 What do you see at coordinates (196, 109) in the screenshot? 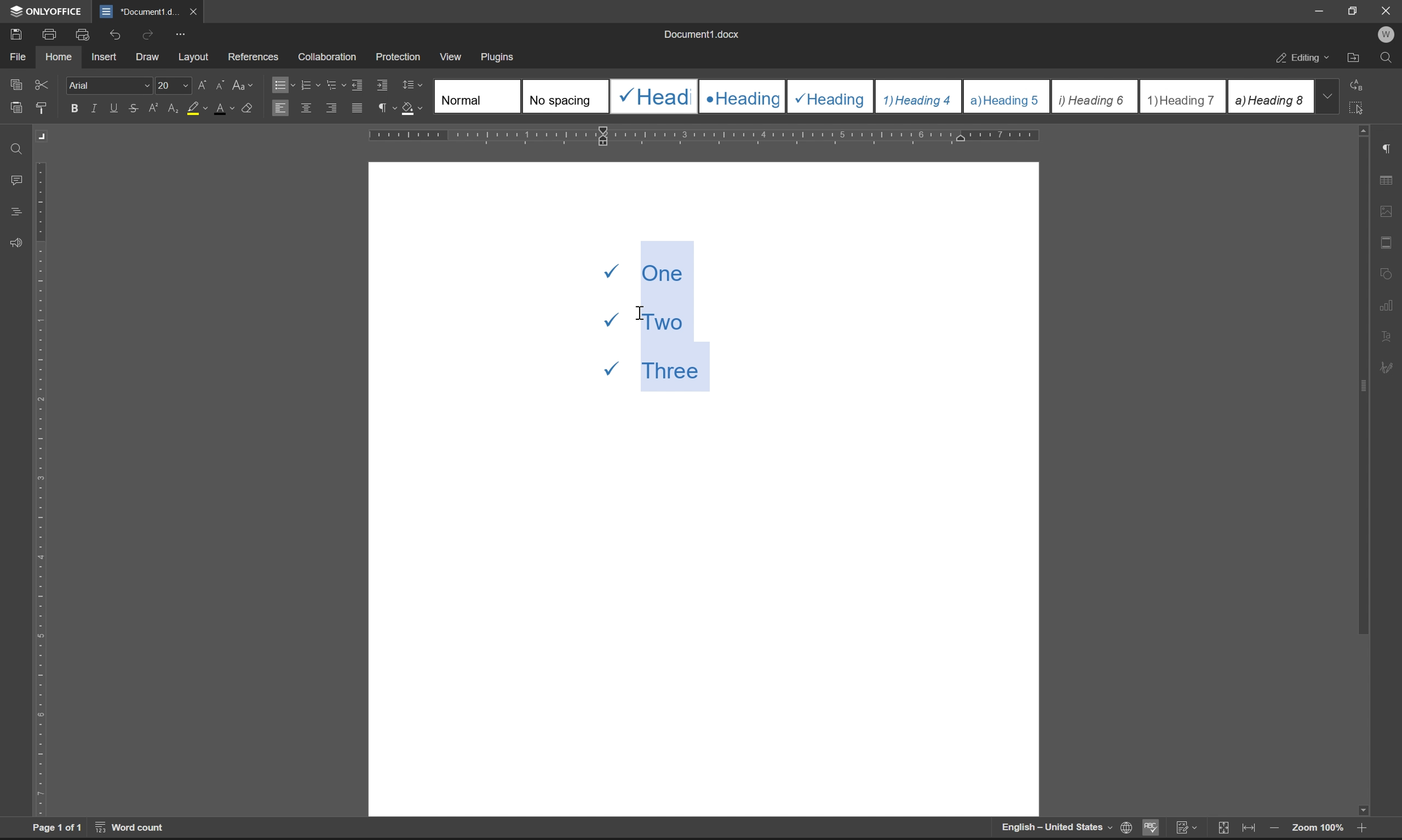
I see `background color` at bounding box center [196, 109].